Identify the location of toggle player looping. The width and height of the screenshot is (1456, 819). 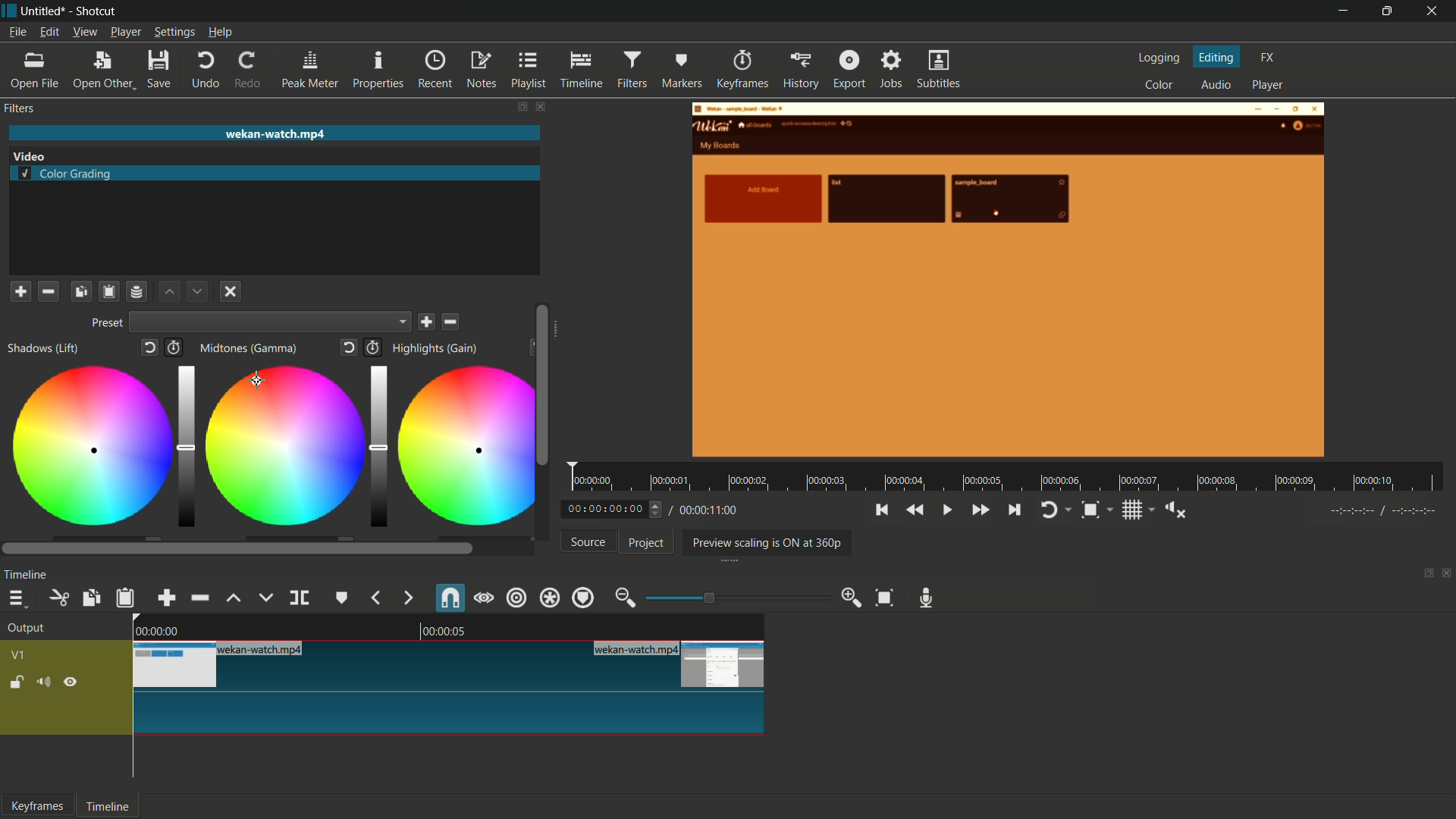
(1054, 510).